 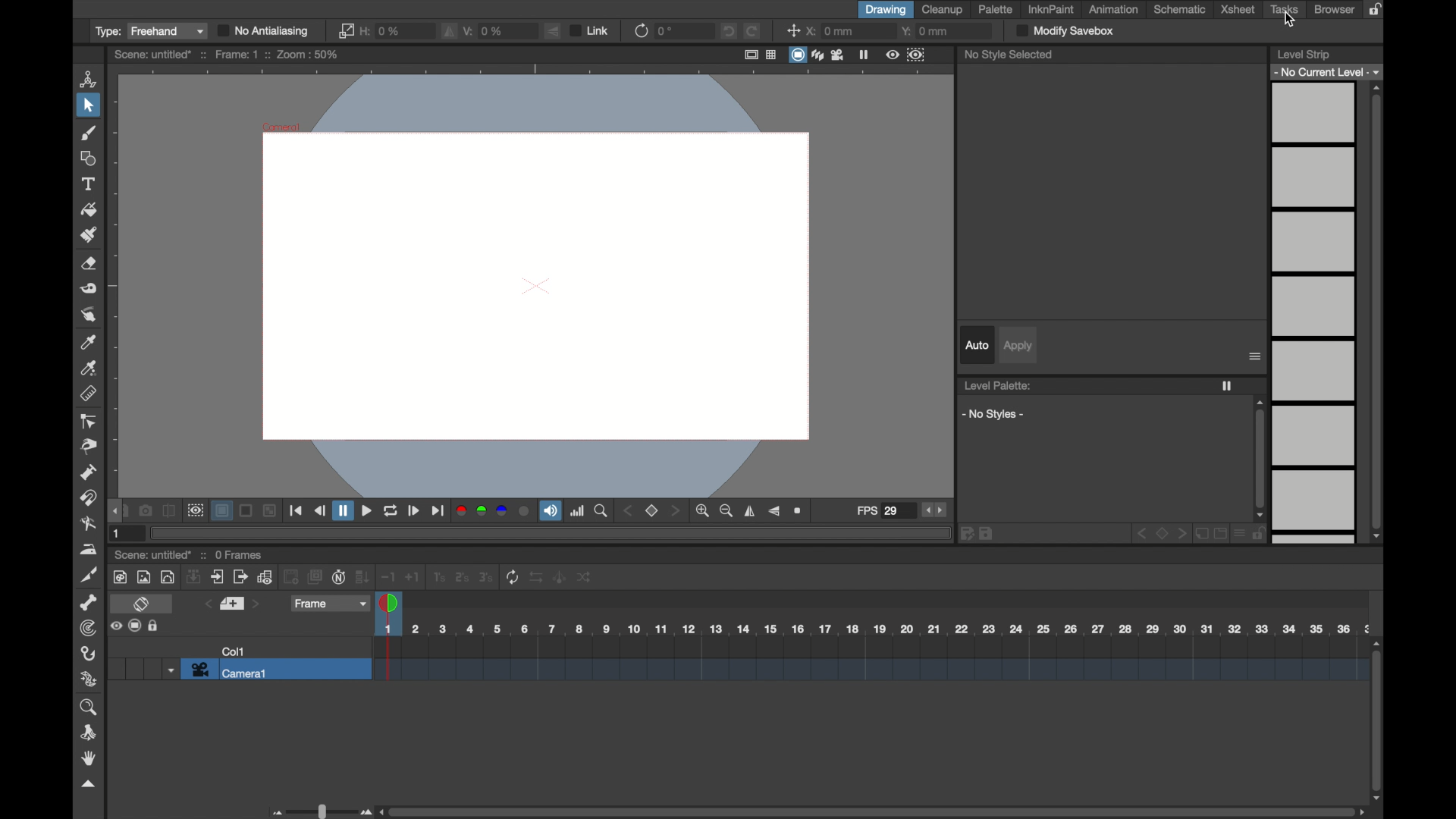 I want to click on flip horizontally, so click(x=775, y=512).